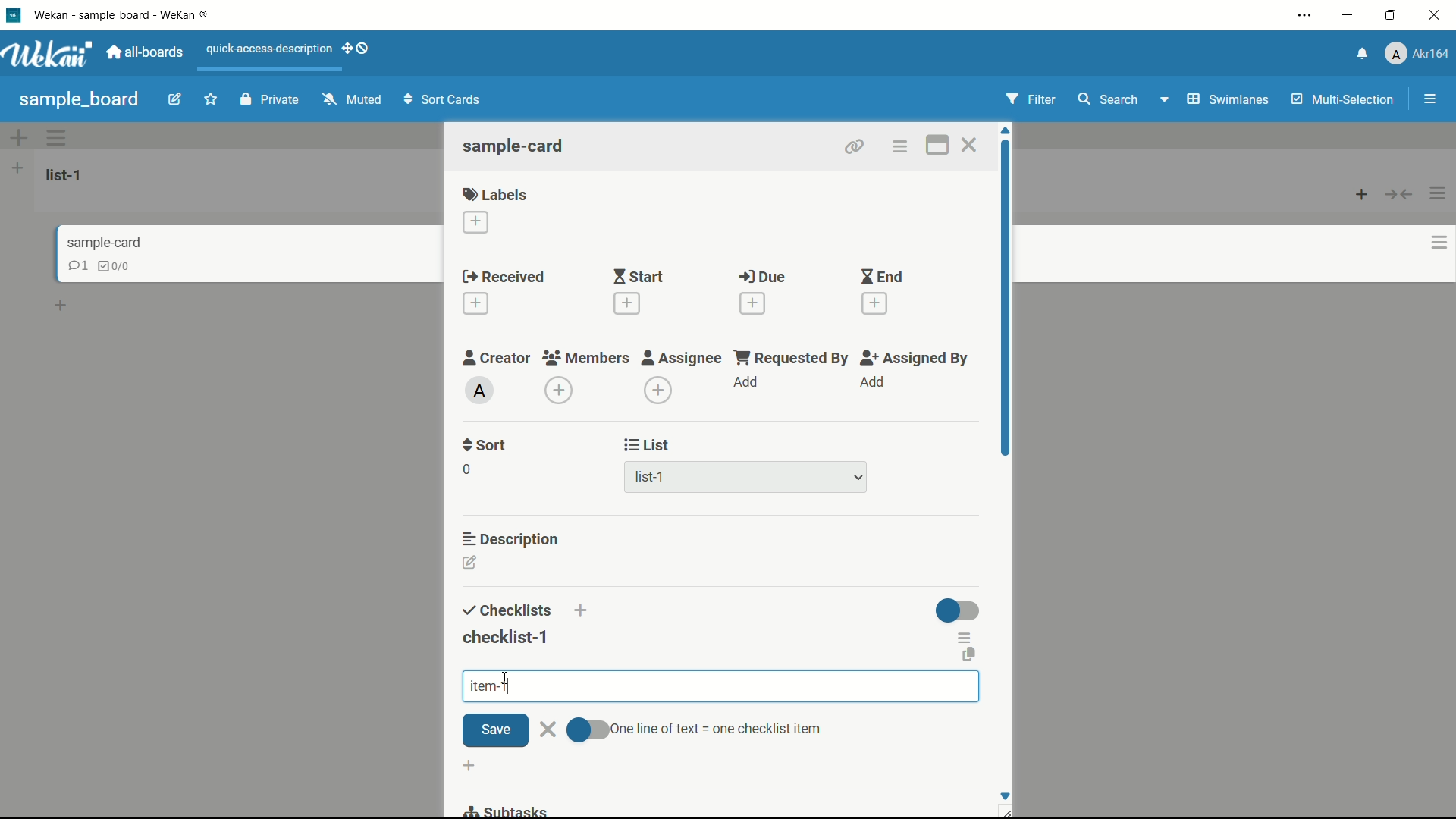  Describe the element at coordinates (515, 146) in the screenshot. I see `sample-card` at that location.